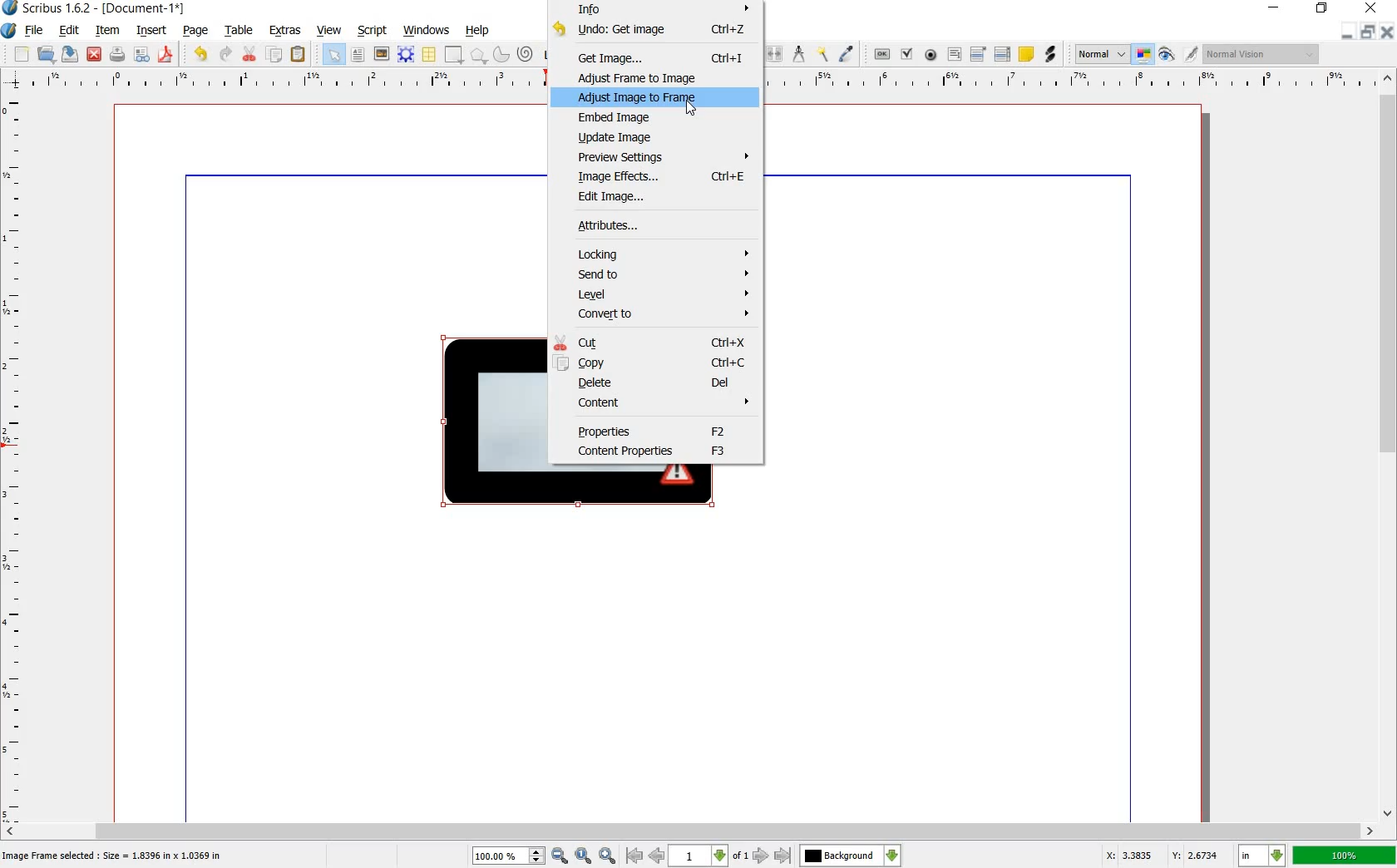  What do you see at coordinates (1322, 8) in the screenshot?
I see `restore` at bounding box center [1322, 8].